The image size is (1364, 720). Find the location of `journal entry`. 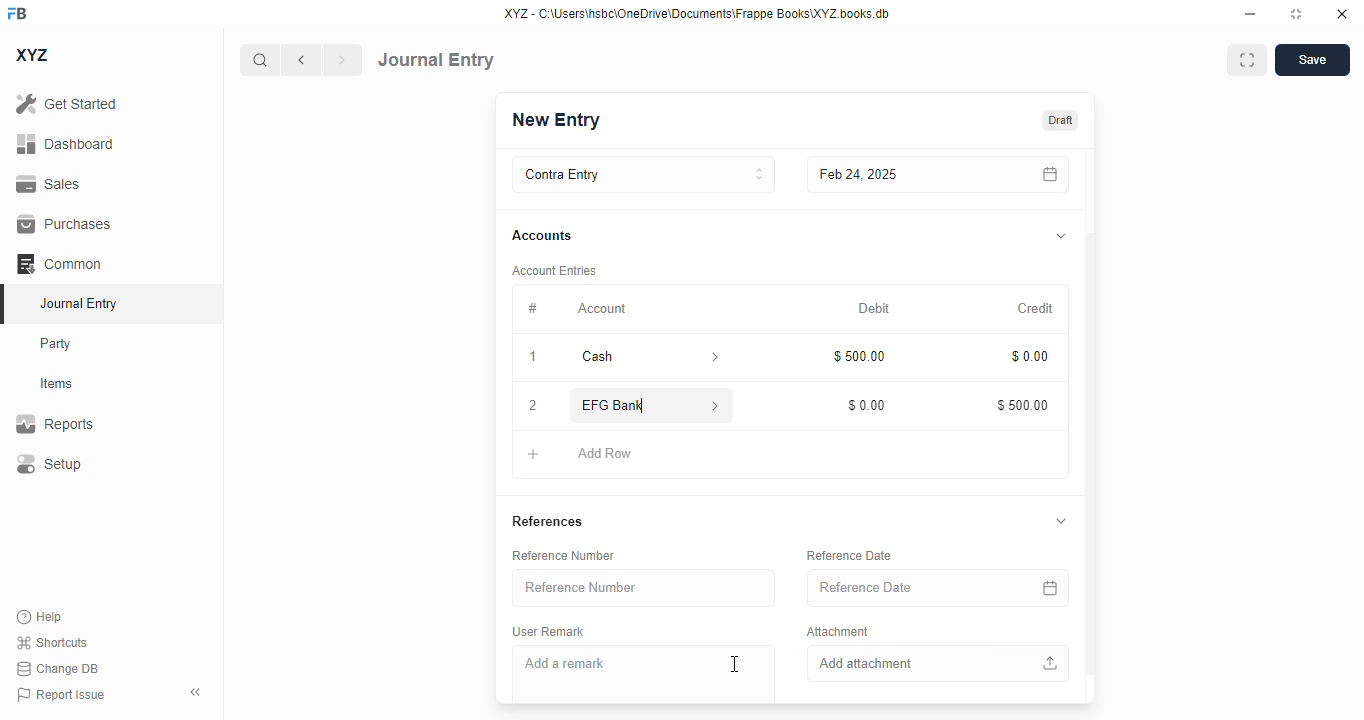

journal entry is located at coordinates (436, 60).